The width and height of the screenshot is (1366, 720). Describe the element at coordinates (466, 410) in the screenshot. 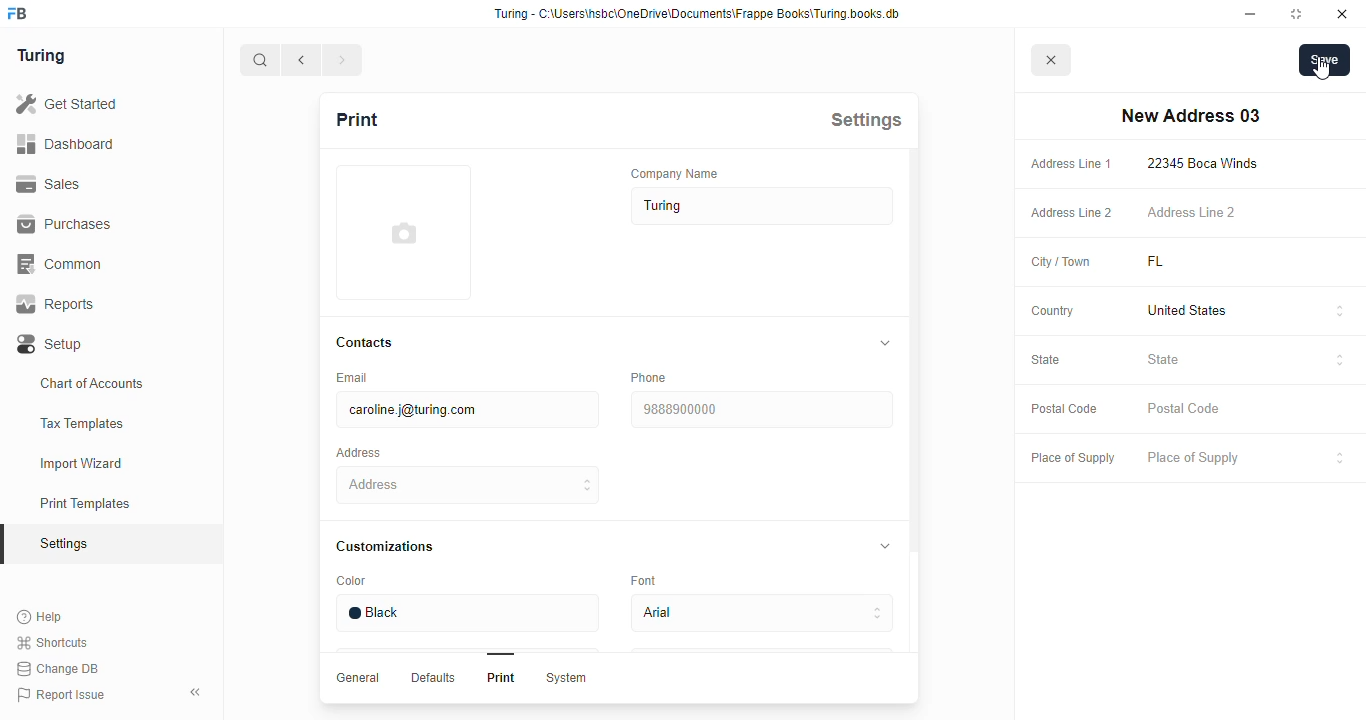

I see `caroline.j@turing.com` at that location.